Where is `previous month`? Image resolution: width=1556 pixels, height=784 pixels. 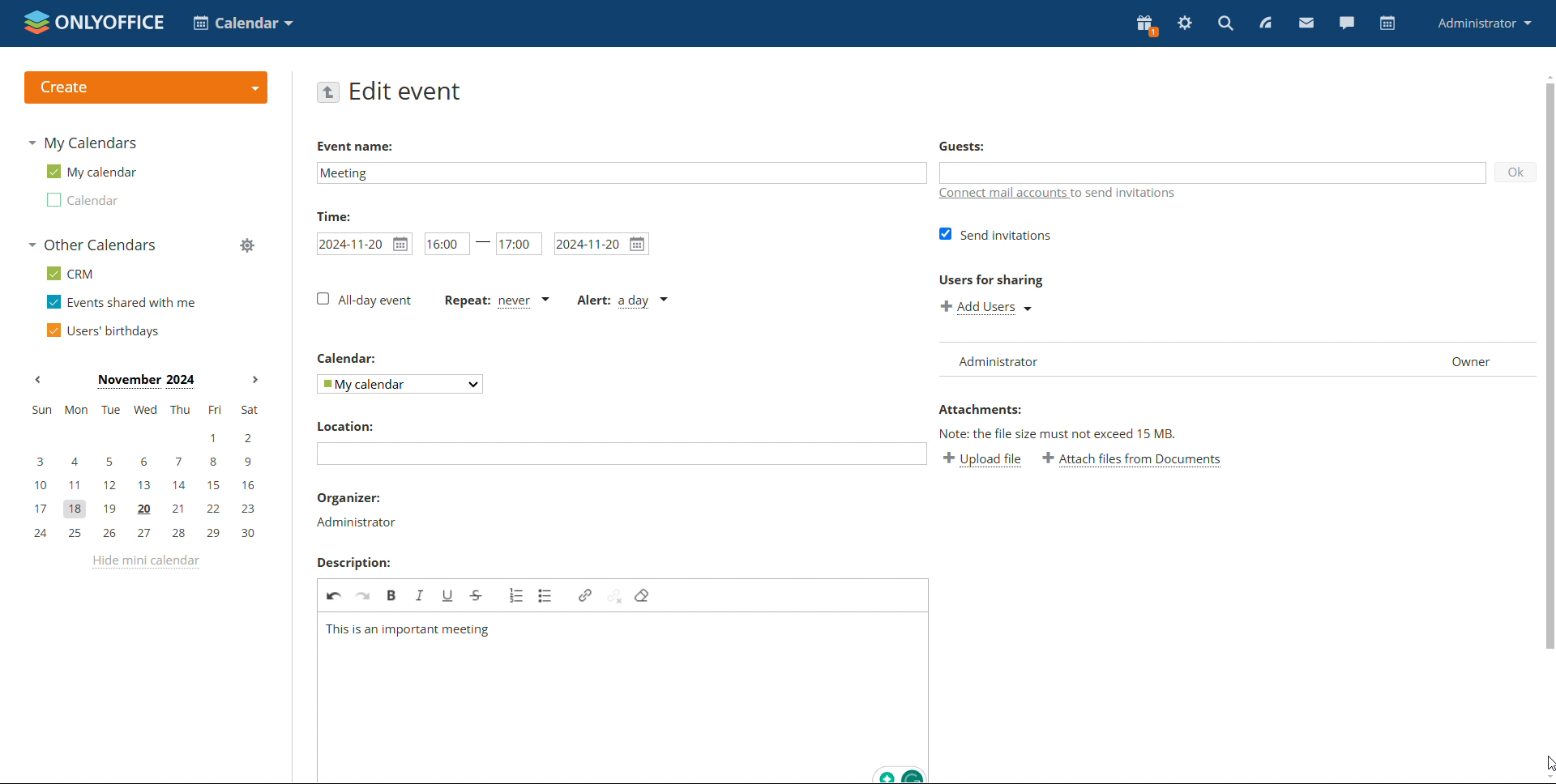
previous month is located at coordinates (37, 380).